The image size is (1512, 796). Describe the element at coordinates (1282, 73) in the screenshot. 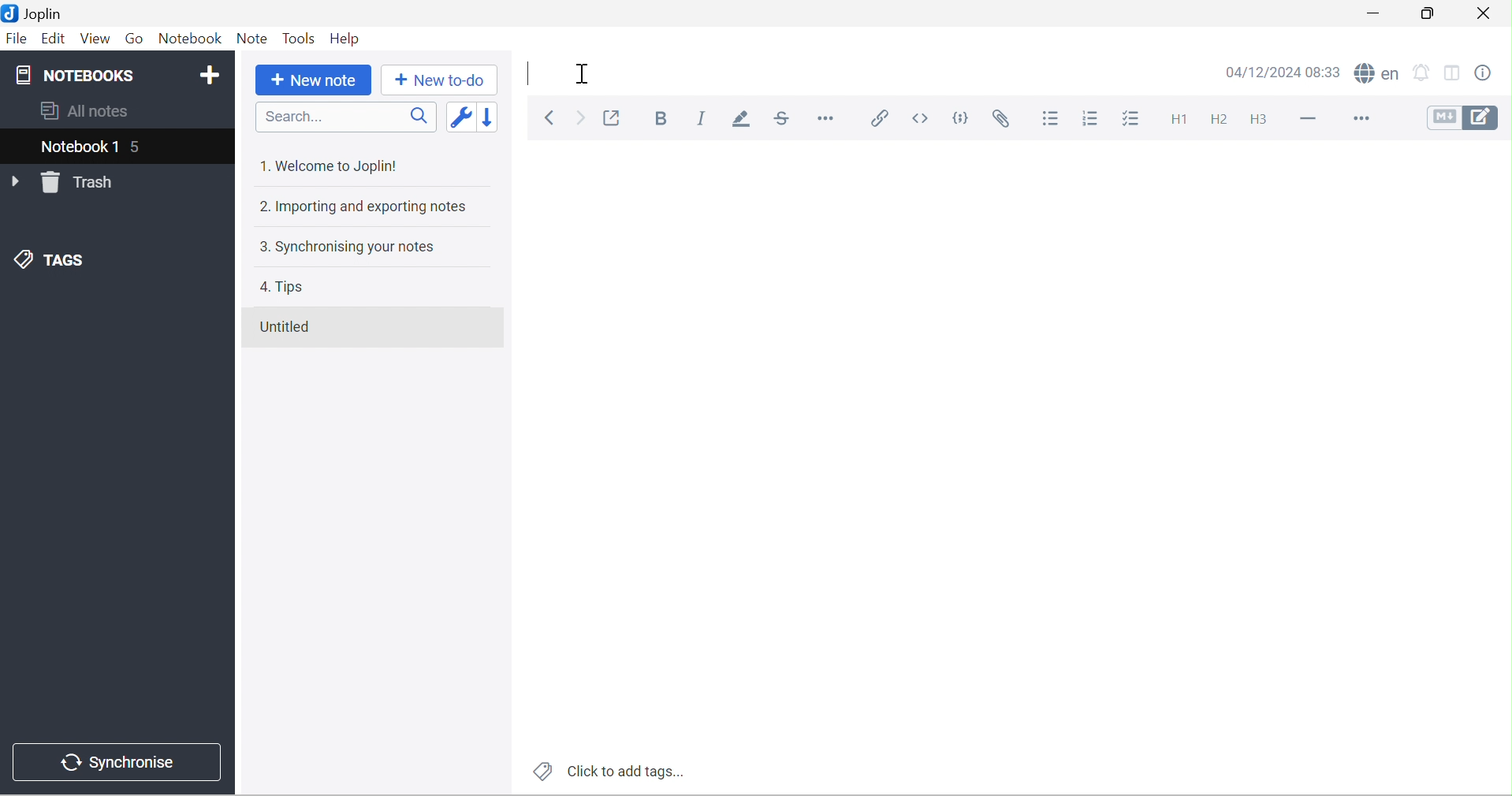

I see `14/12/2024 08:33` at that location.